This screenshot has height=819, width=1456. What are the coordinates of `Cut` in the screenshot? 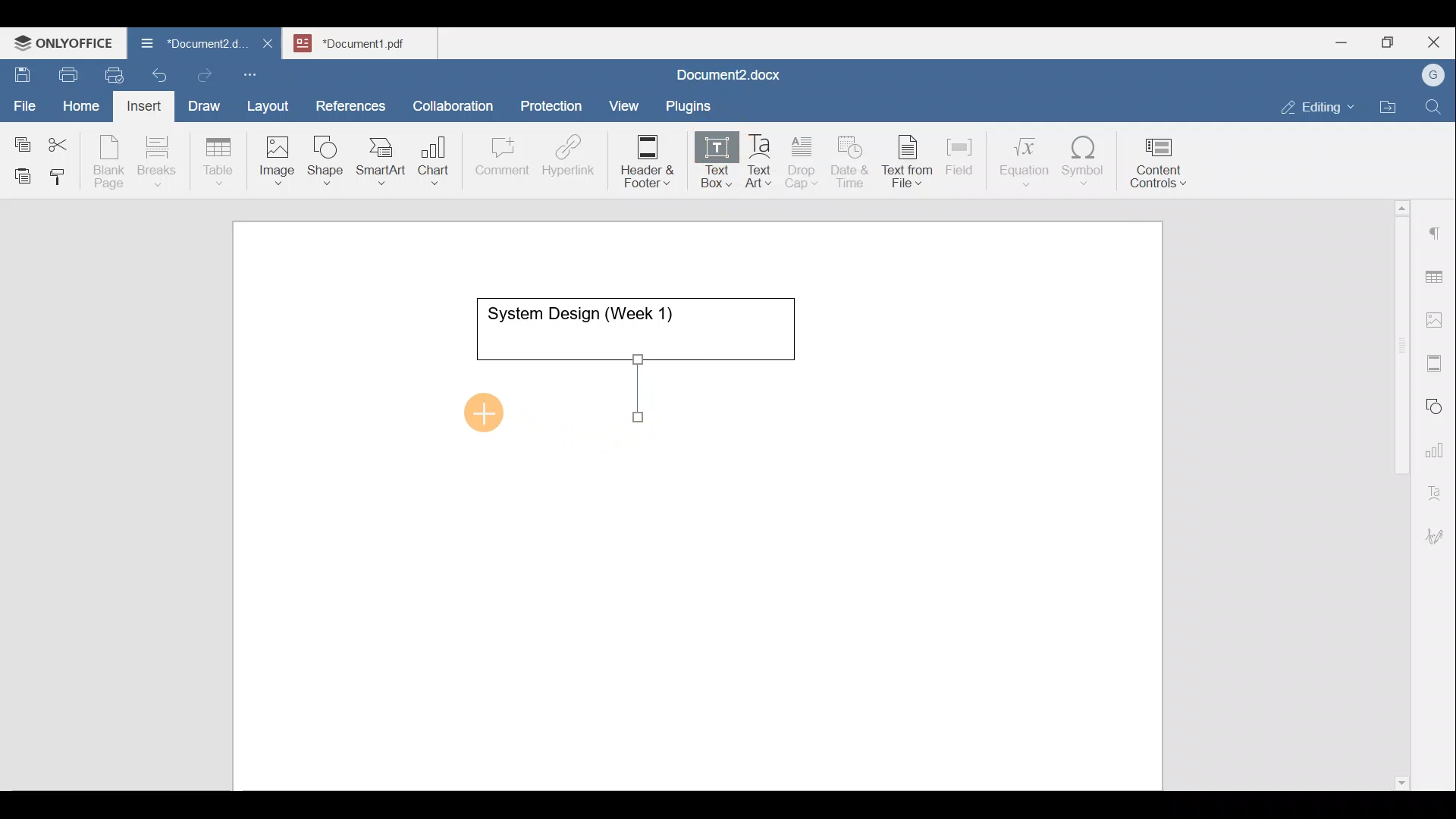 It's located at (64, 141).